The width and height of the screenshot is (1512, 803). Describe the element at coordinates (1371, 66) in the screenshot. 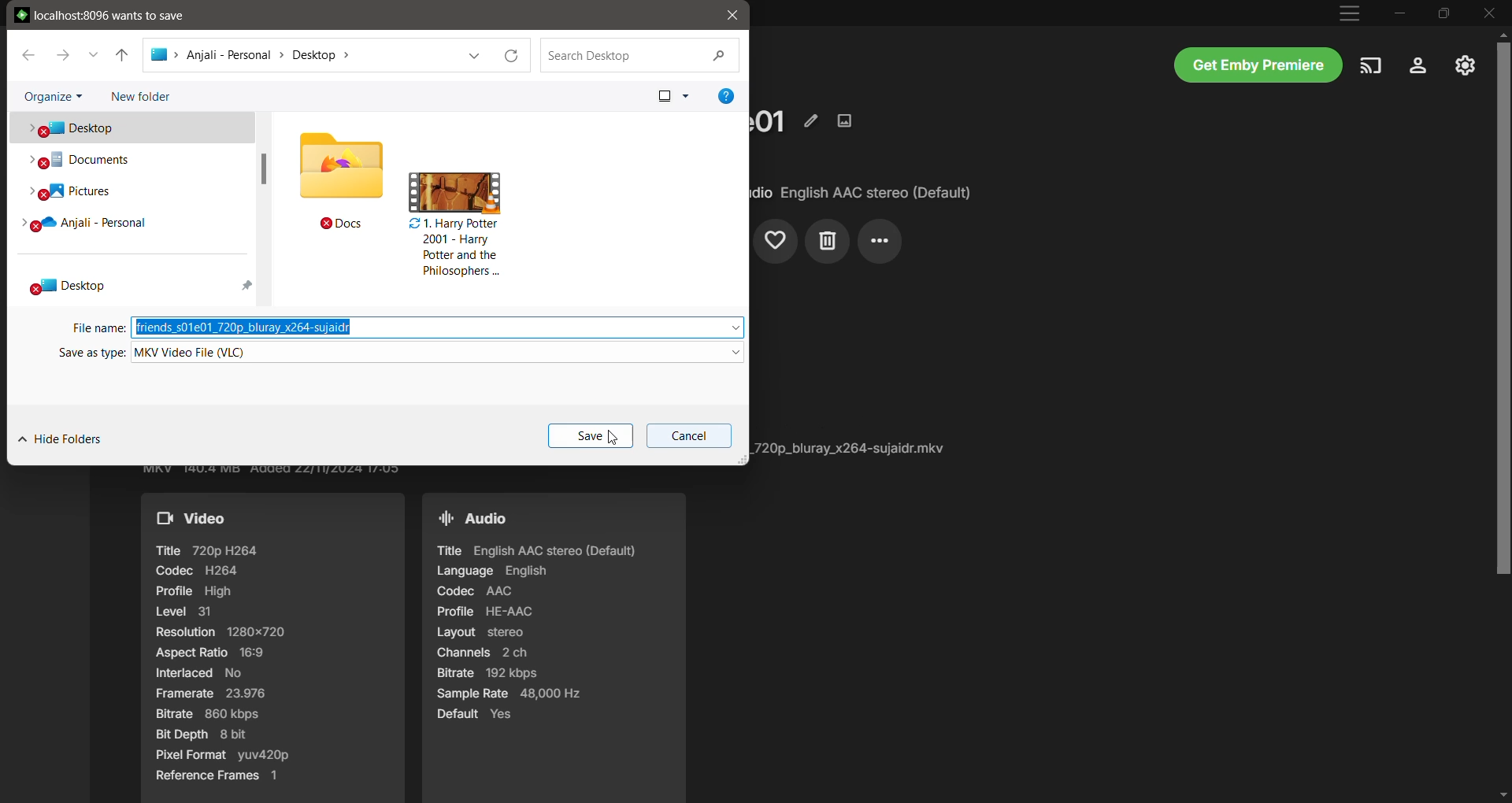

I see `Play on another deivce` at that location.